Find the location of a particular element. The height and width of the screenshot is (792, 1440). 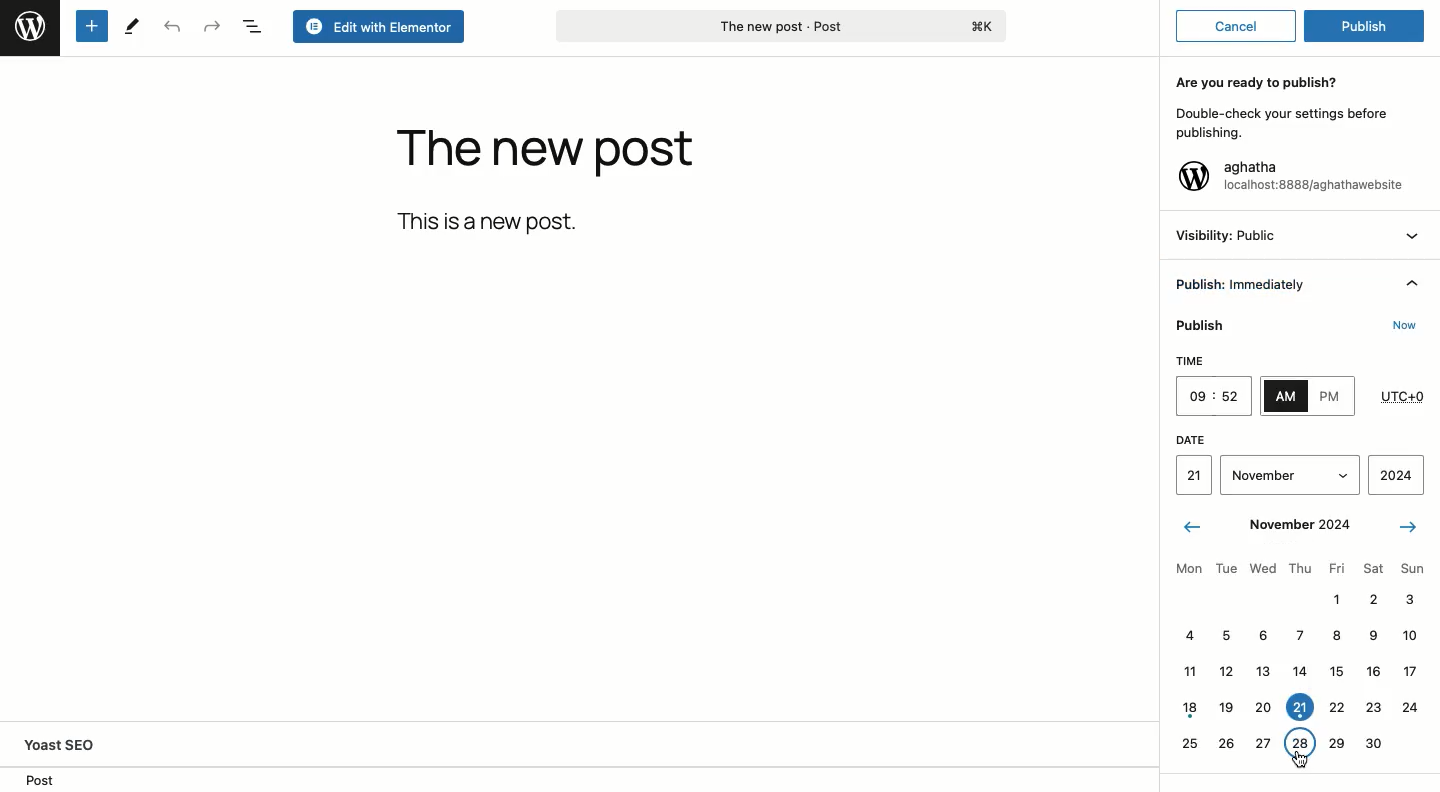

Cancel is located at coordinates (1236, 26).